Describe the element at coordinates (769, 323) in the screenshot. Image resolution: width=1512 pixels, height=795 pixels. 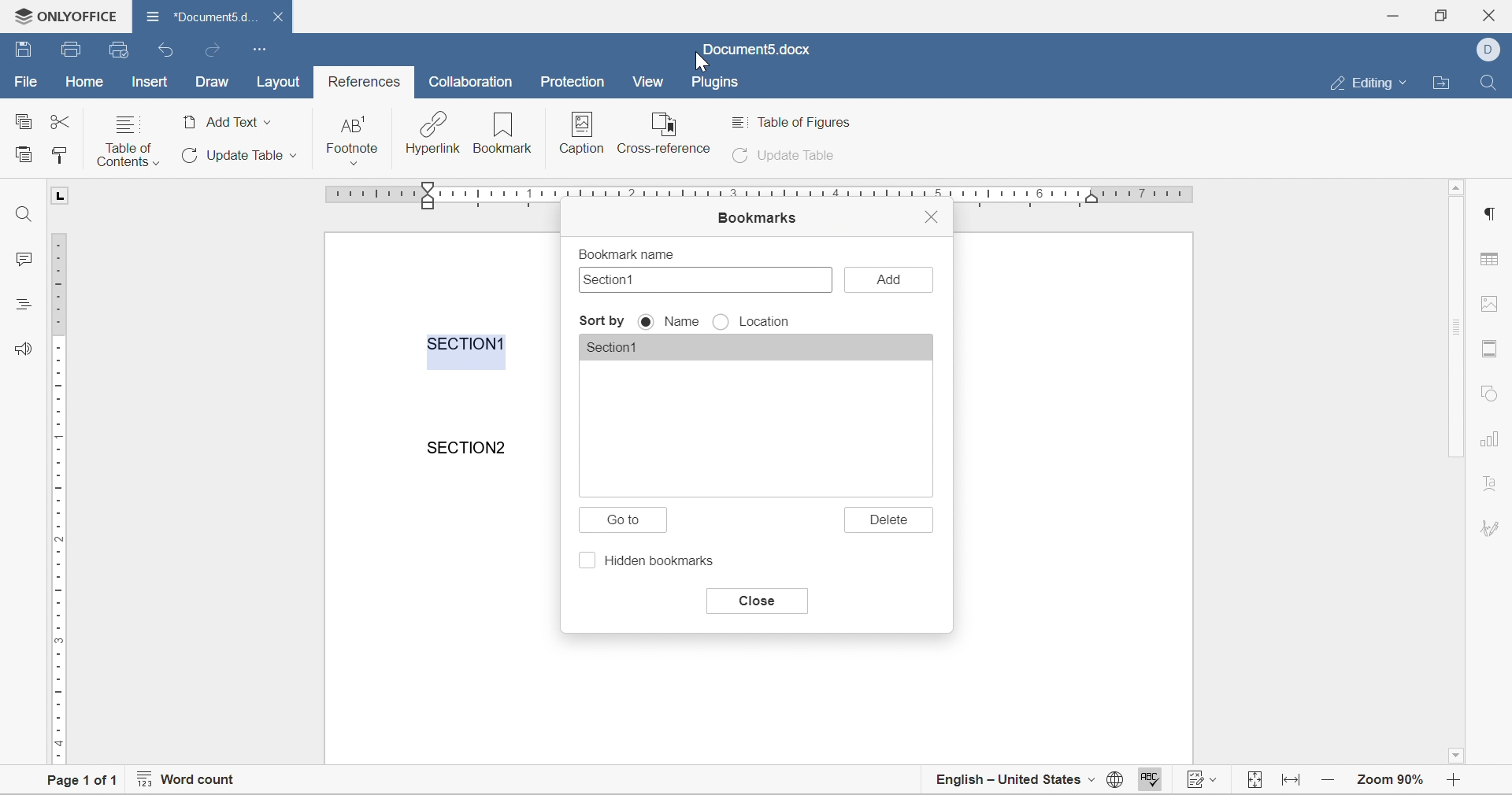
I see `location` at that location.